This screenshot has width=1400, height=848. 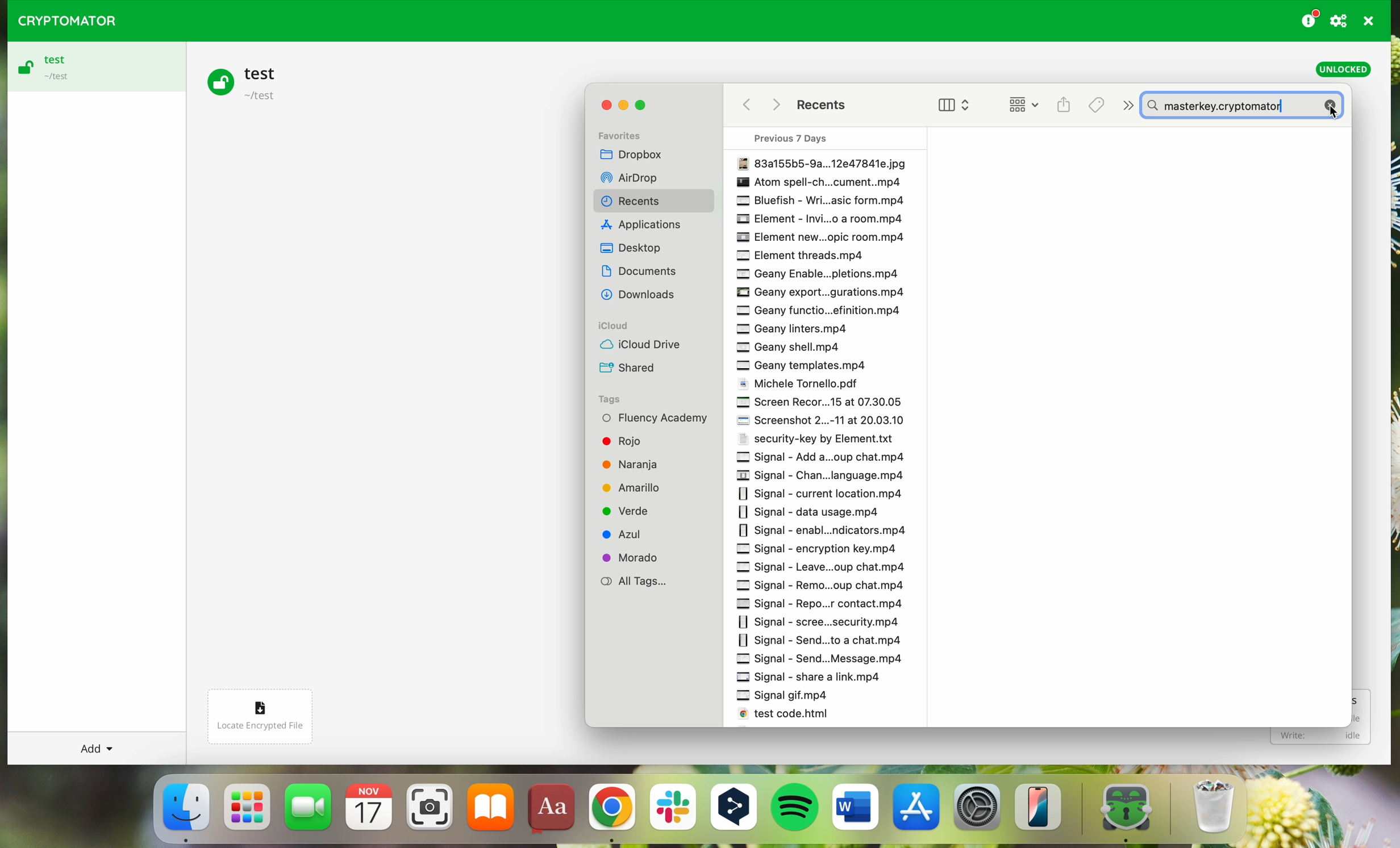 I want to click on preferences, so click(x=1340, y=20).